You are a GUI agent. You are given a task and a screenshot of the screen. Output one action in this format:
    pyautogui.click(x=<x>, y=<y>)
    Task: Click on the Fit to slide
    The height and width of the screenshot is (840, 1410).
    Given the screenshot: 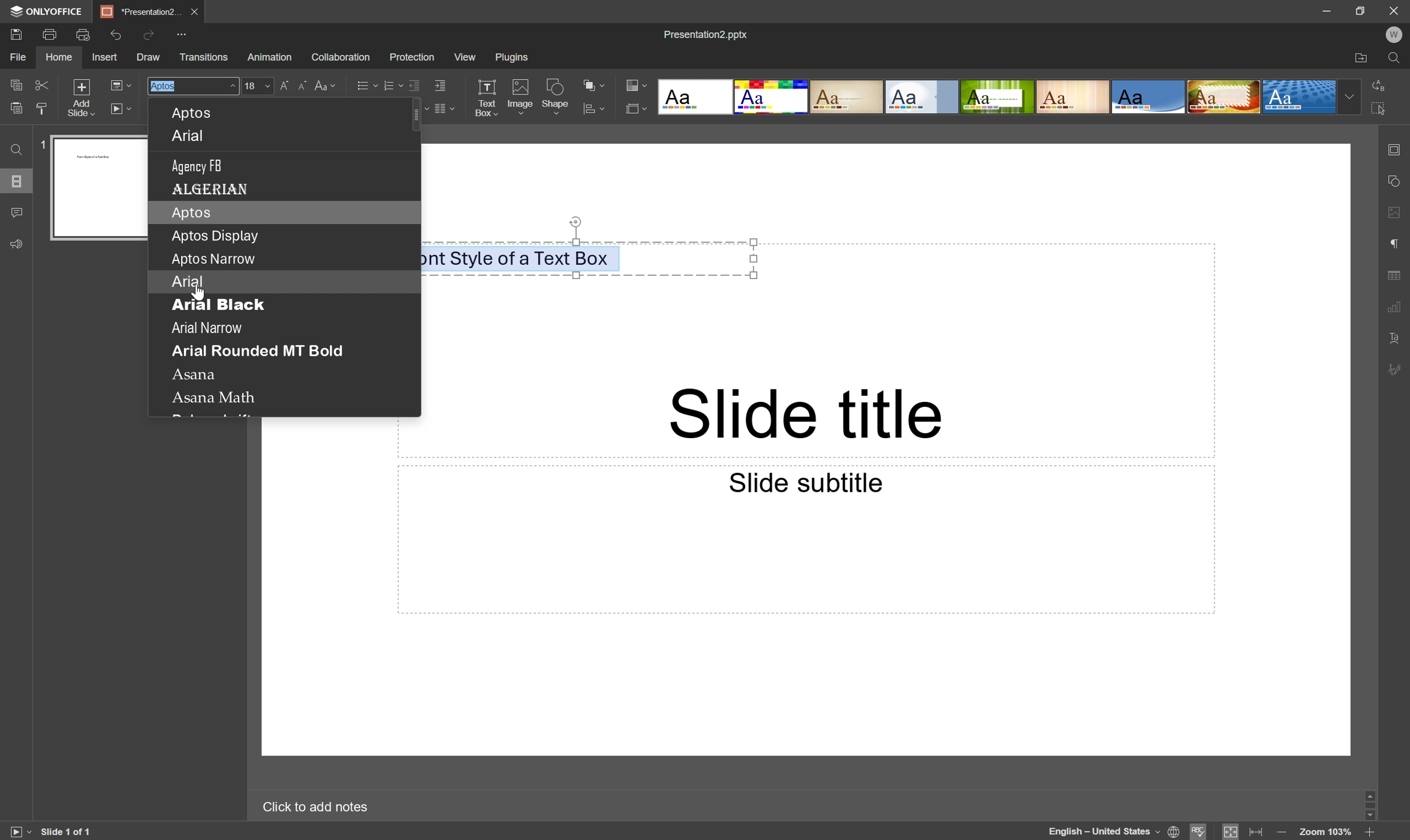 What is the action you would take?
    pyautogui.click(x=1231, y=831)
    